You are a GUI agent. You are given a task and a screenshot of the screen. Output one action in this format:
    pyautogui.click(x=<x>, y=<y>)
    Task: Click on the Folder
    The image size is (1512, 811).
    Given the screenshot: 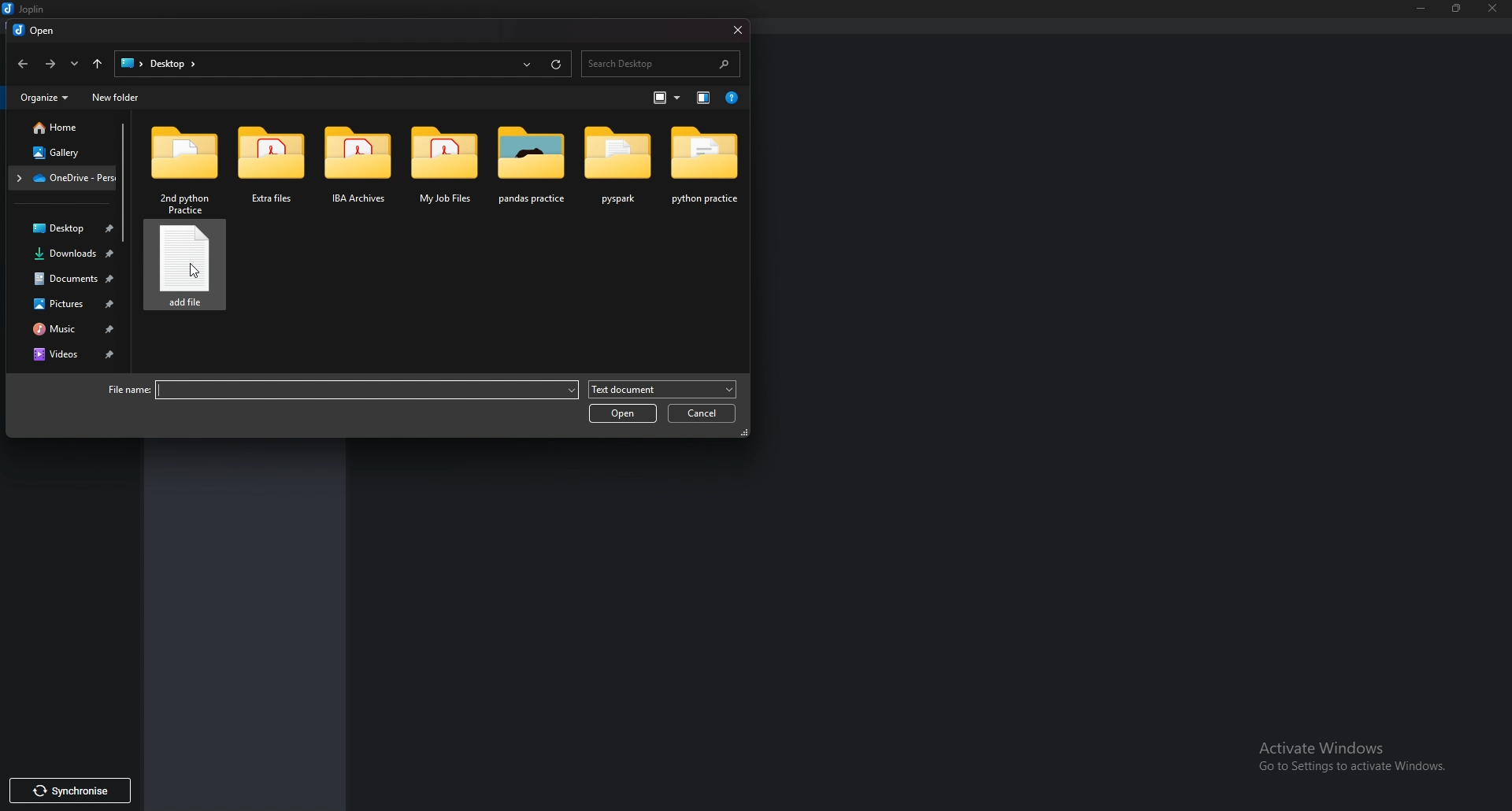 What is the action you would take?
    pyautogui.click(x=702, y=168)
    